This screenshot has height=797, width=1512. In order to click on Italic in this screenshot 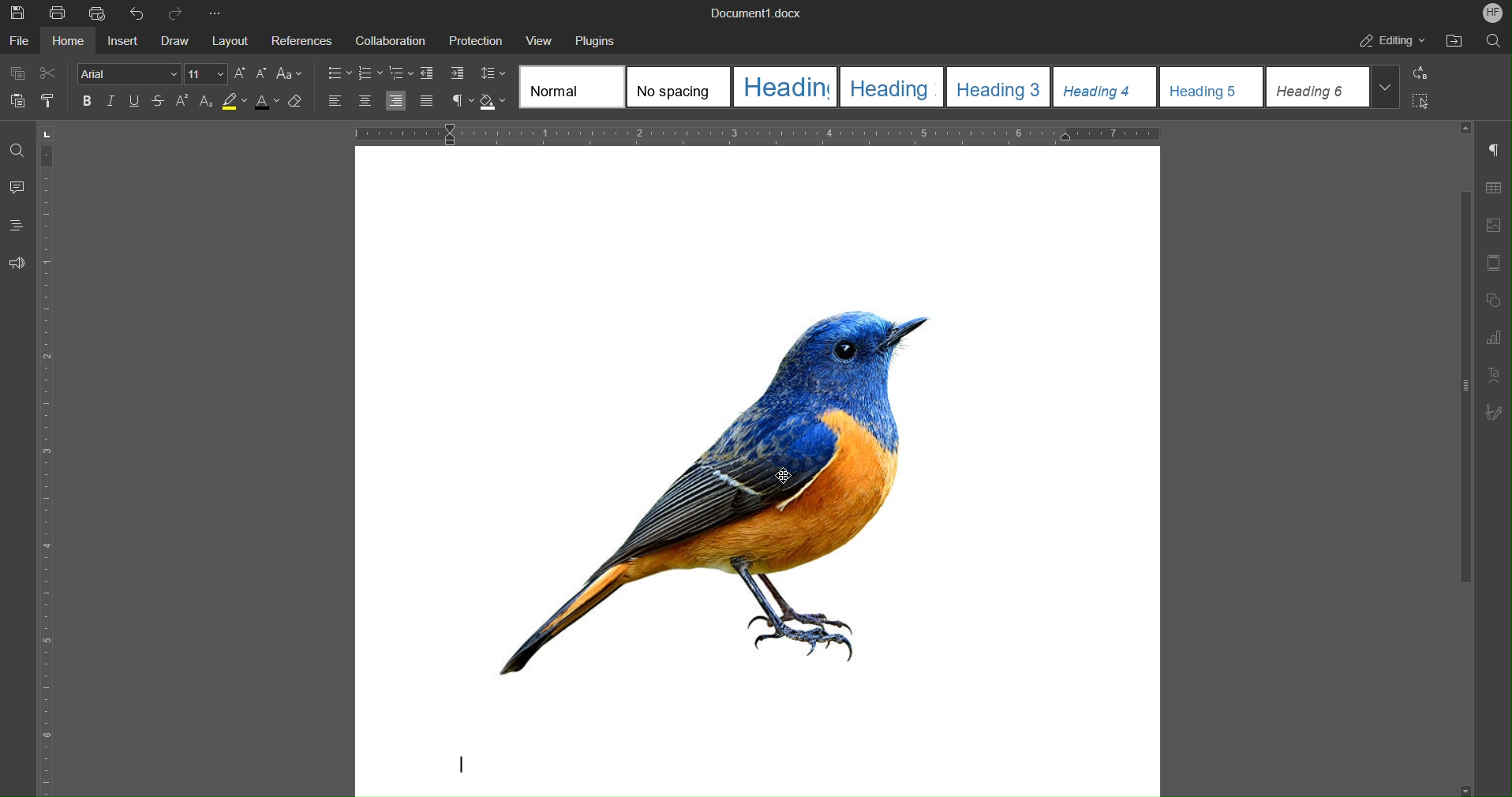, I will do `click(111, 102)`.